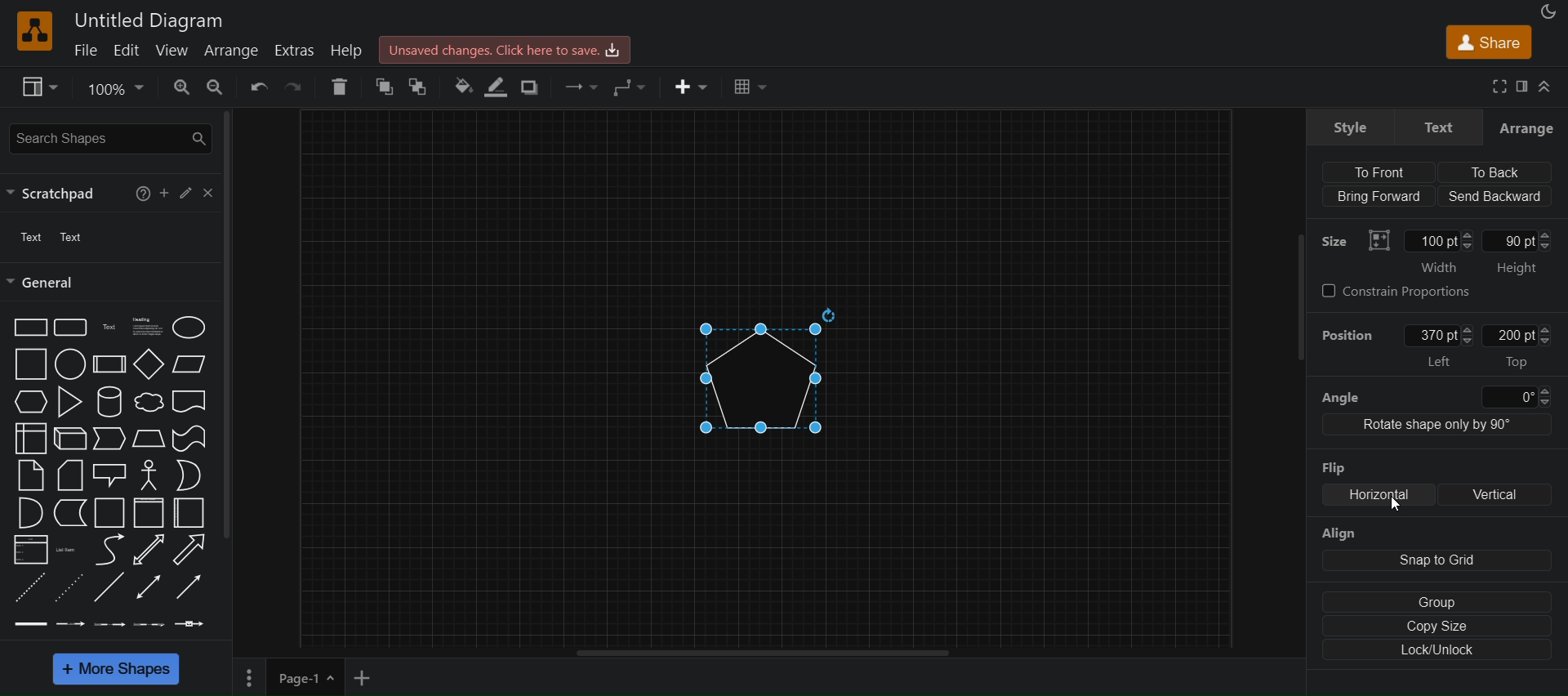 This screenshot has width=1568, height=696. What do you see at coordinates (1438, 267) in the screenshot?
I see `Width` at bounding box center [1438, 267].